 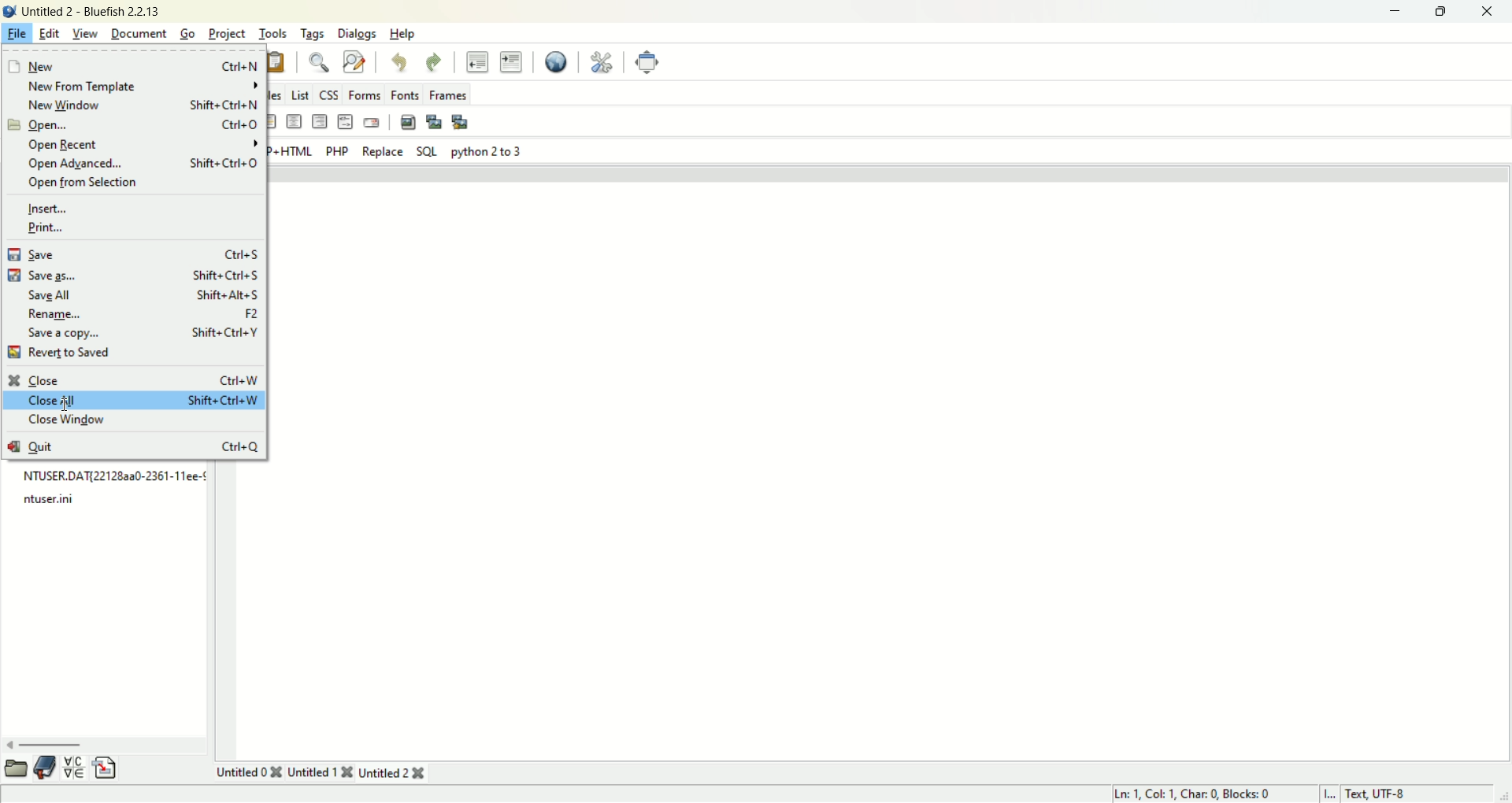 What do you see at coordinates (404, 35) in the screenshot?
I see `help` at bounding box center [404, 35].